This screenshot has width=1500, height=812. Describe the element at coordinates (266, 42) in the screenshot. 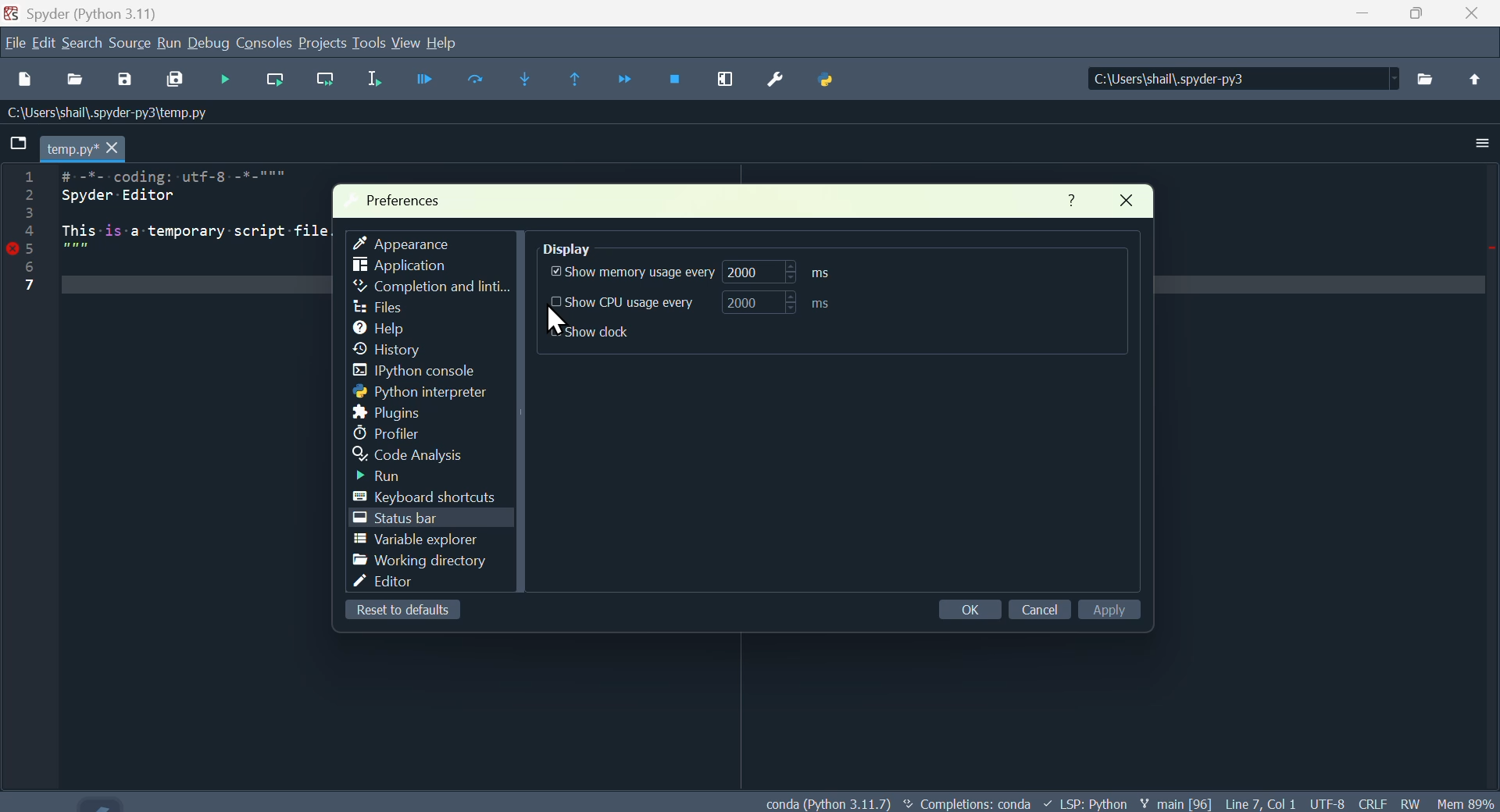

I see `Console` at that location.